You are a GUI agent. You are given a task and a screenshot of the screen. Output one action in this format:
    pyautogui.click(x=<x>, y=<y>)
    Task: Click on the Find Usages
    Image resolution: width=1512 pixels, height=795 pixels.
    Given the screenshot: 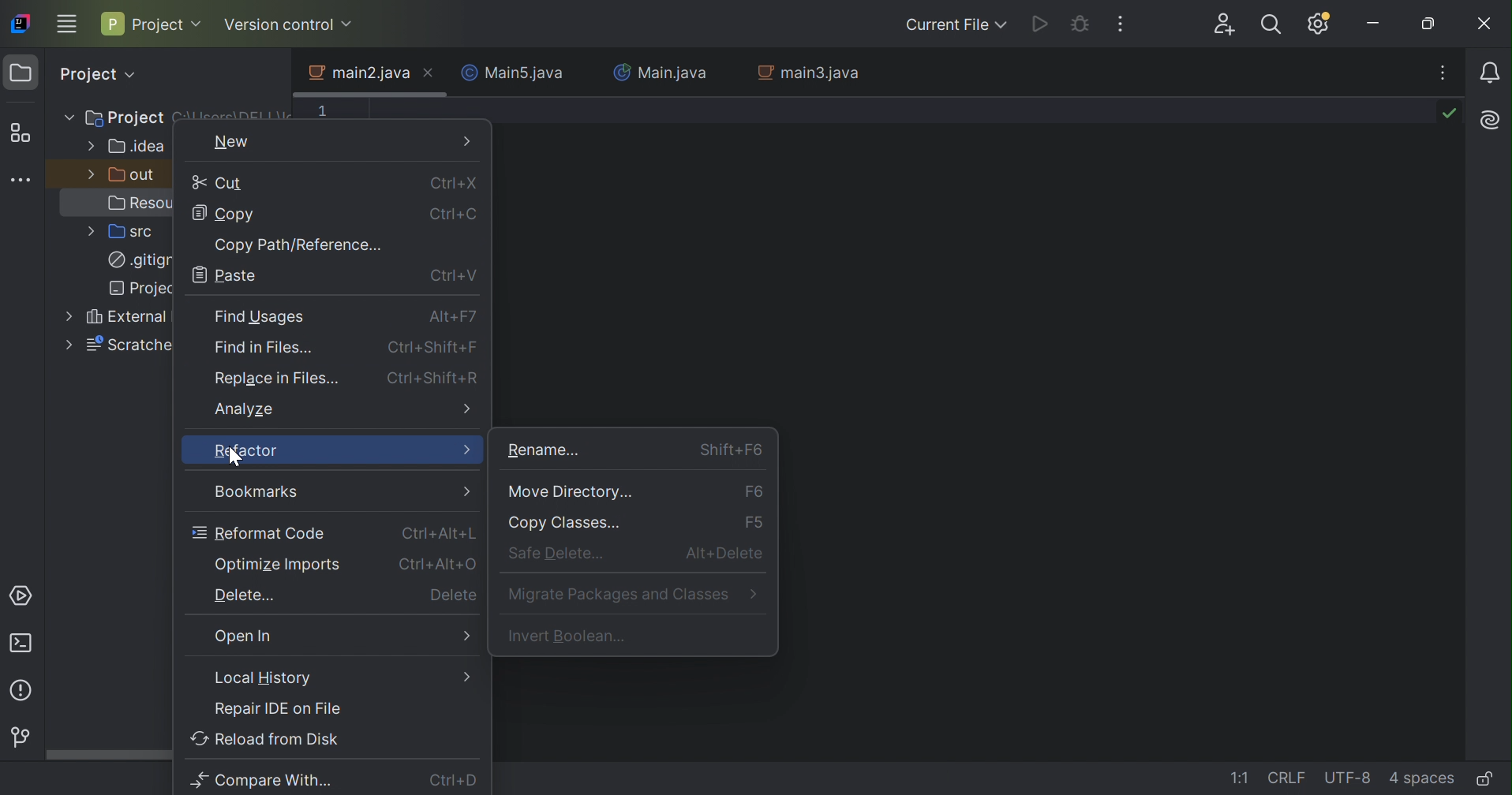 What is the action you would take?
    pyautogui.click(x=262, y=317)
    